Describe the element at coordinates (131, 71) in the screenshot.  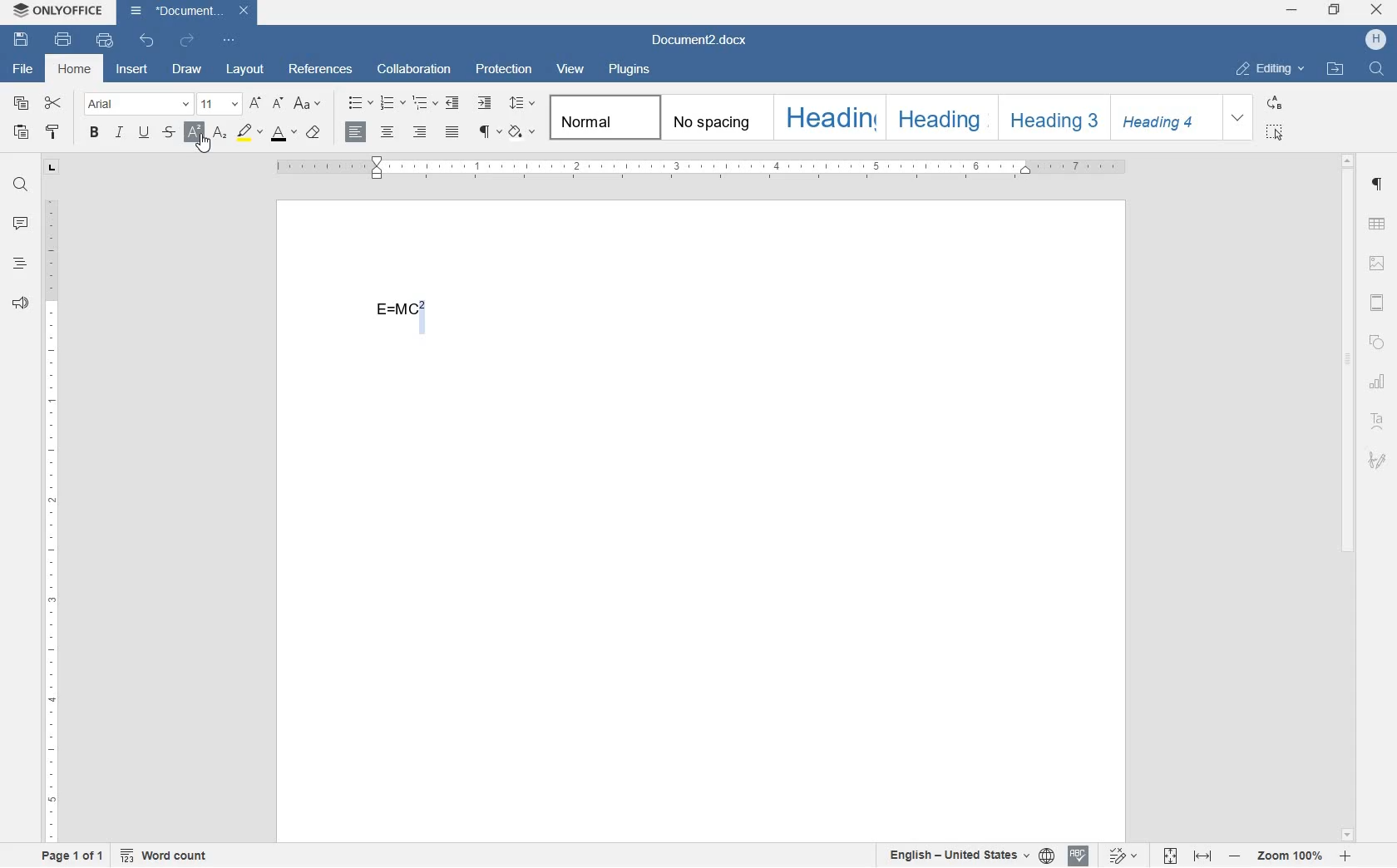
I see `insert ` at that location.